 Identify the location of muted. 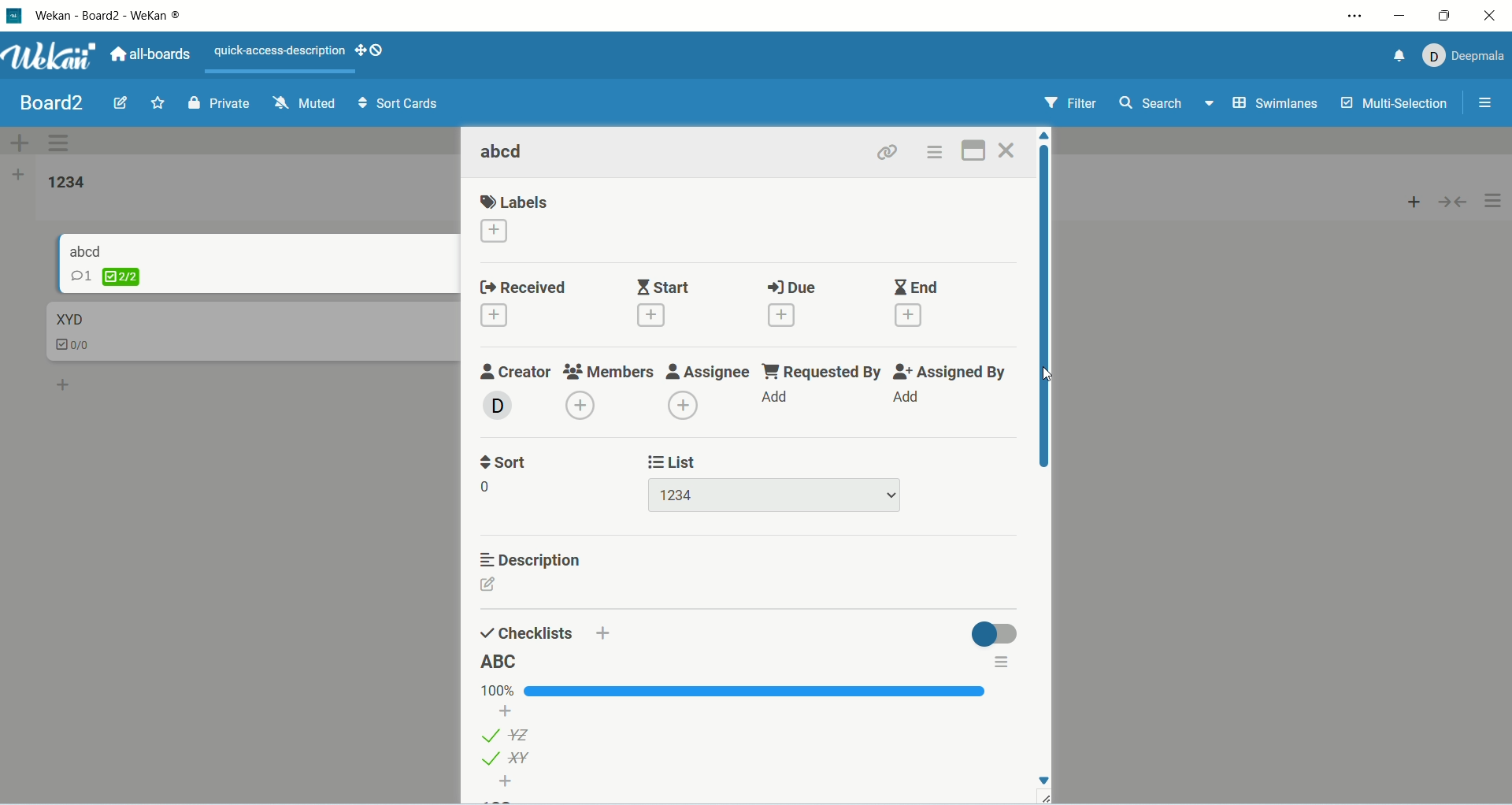
(306, 102).